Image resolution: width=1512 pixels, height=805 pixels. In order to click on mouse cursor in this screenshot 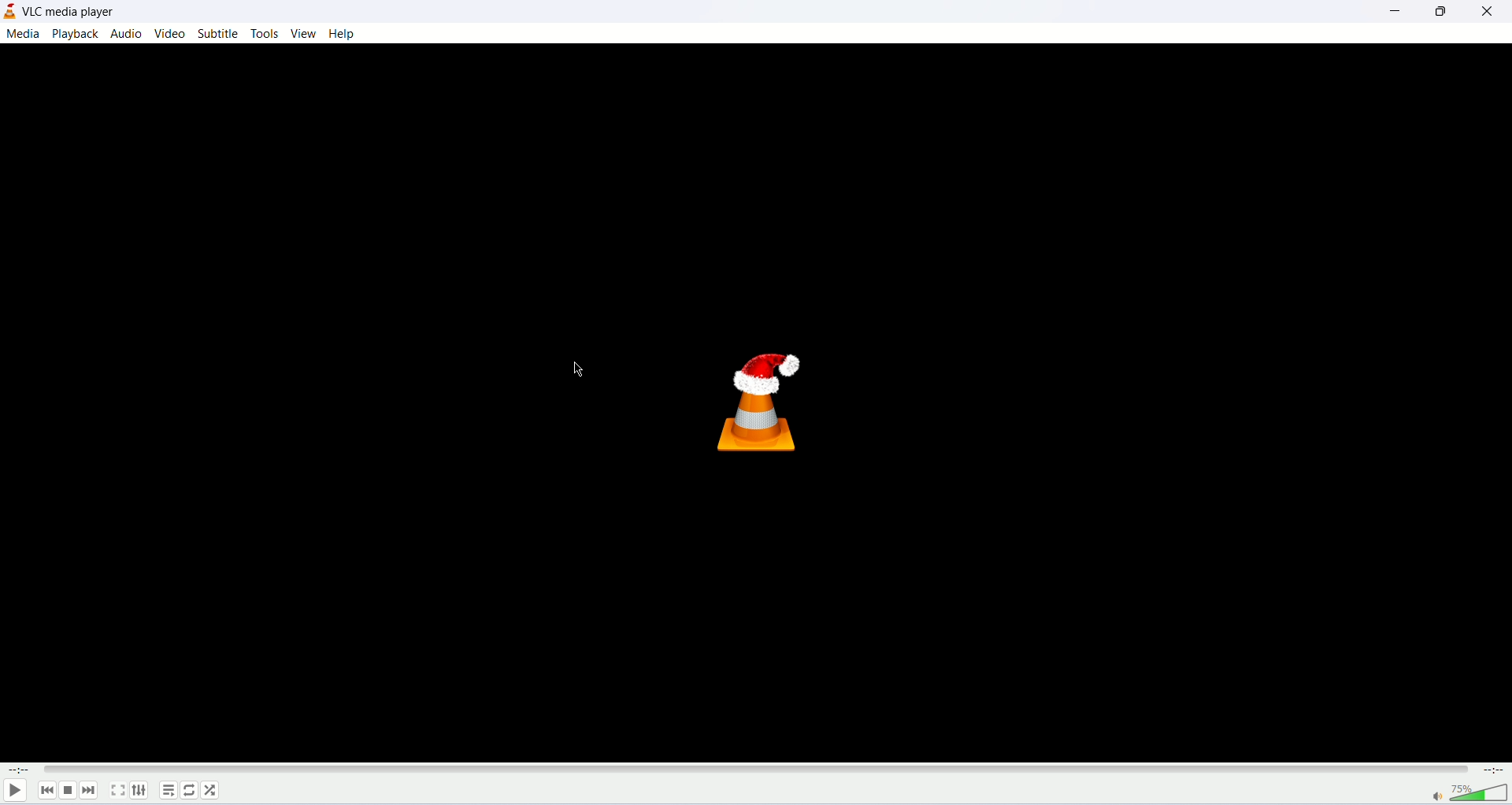, I will do `click(574, 369)`.